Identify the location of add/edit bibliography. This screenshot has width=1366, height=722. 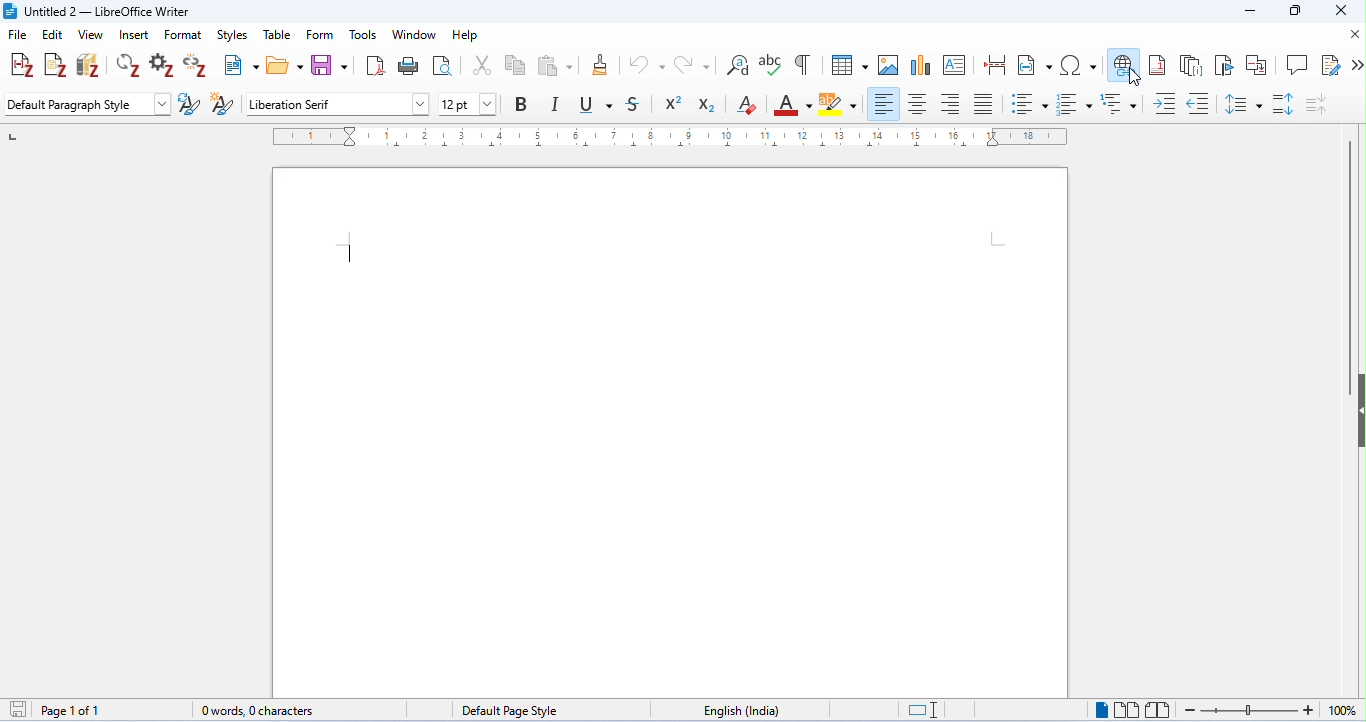
(88, 65).